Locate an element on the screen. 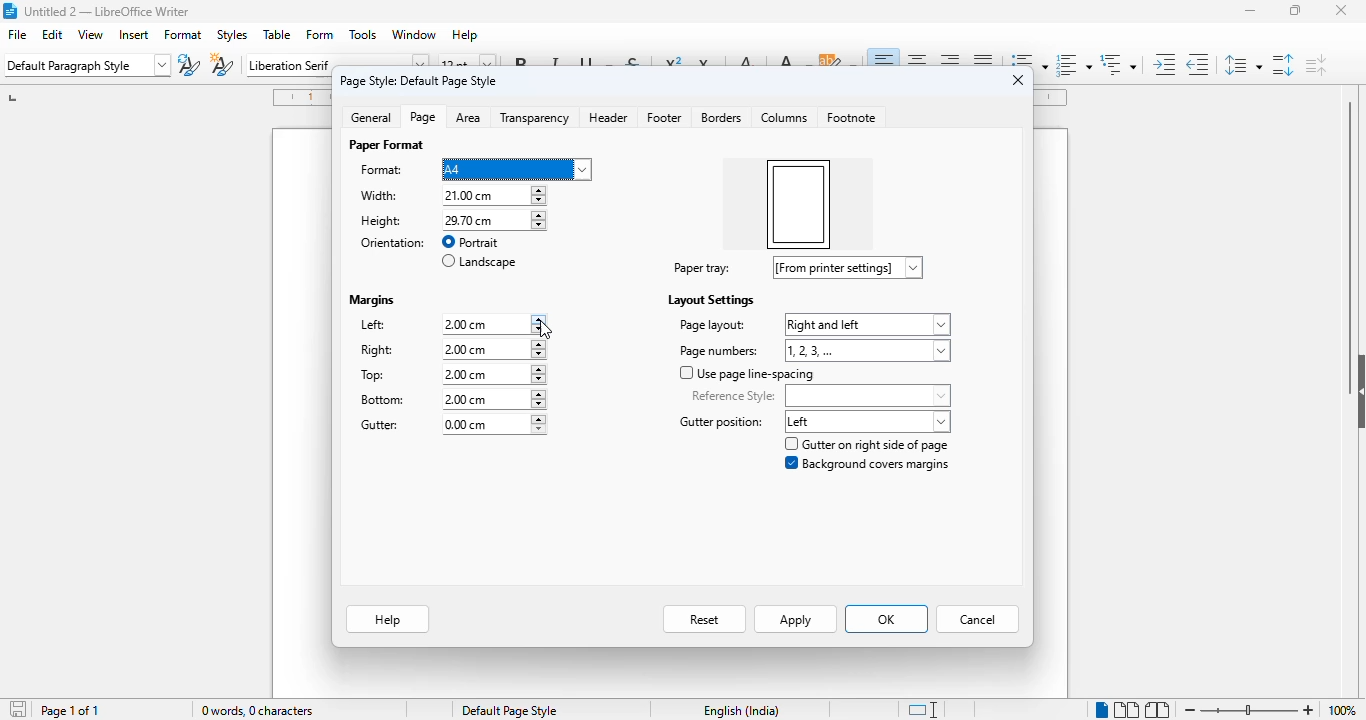 Image resolution: width=1366 pixels, height=720 pixels. new style from selection is located at coordinates (223, 66).